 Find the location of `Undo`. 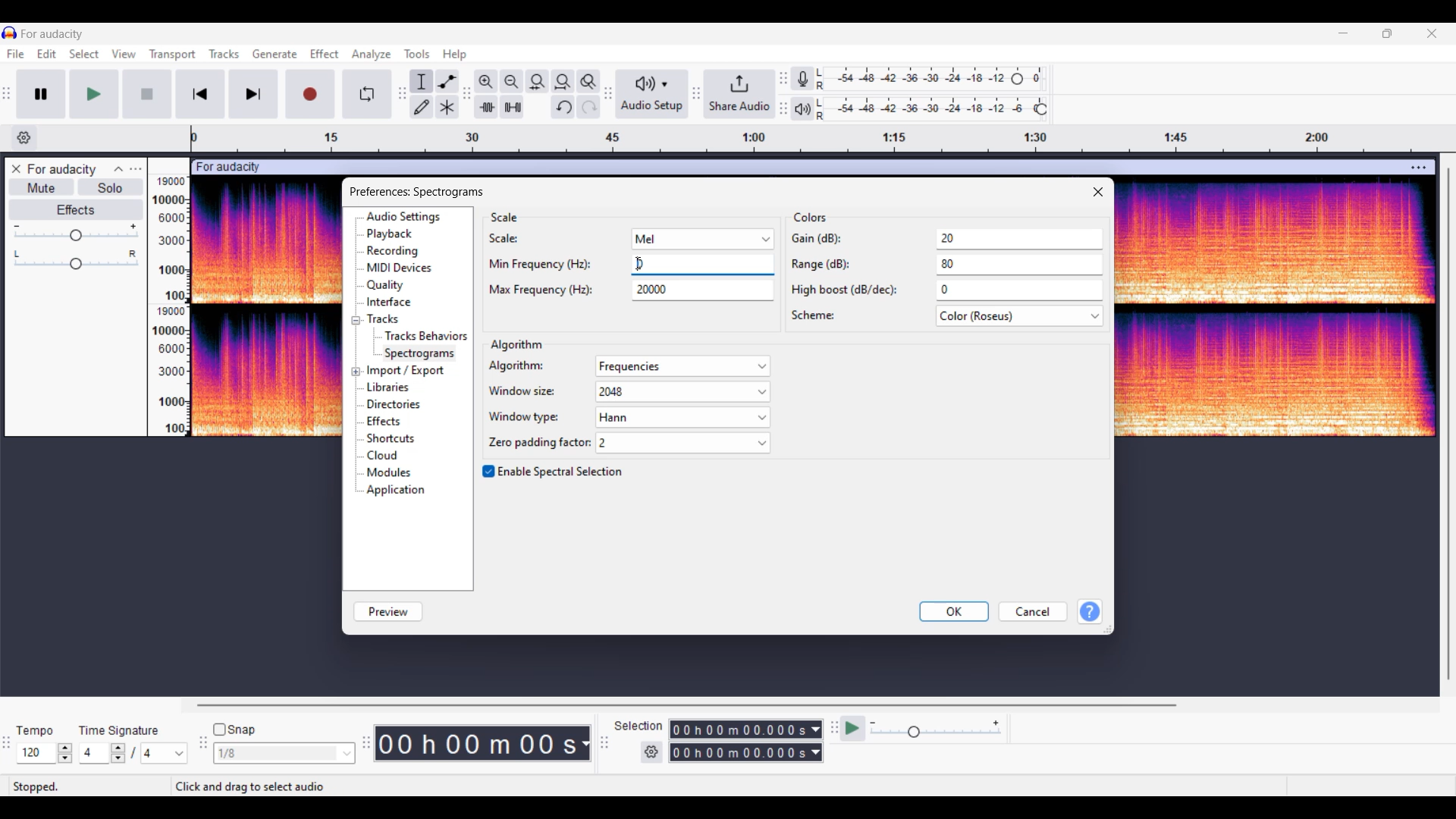

Undo is located at coordinates (563, 107).